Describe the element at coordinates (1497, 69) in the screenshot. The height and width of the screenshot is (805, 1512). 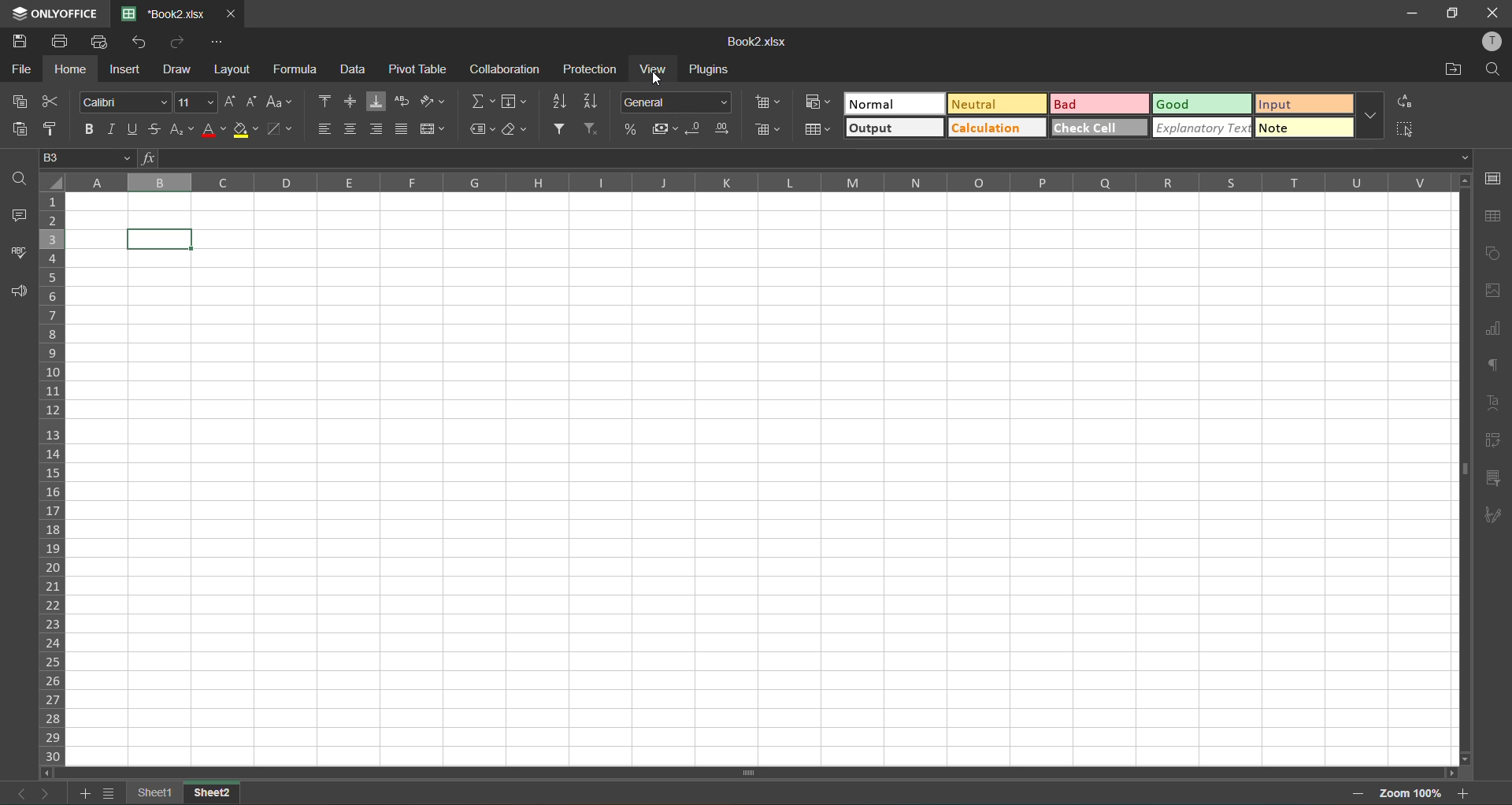
I see `find` at that location.